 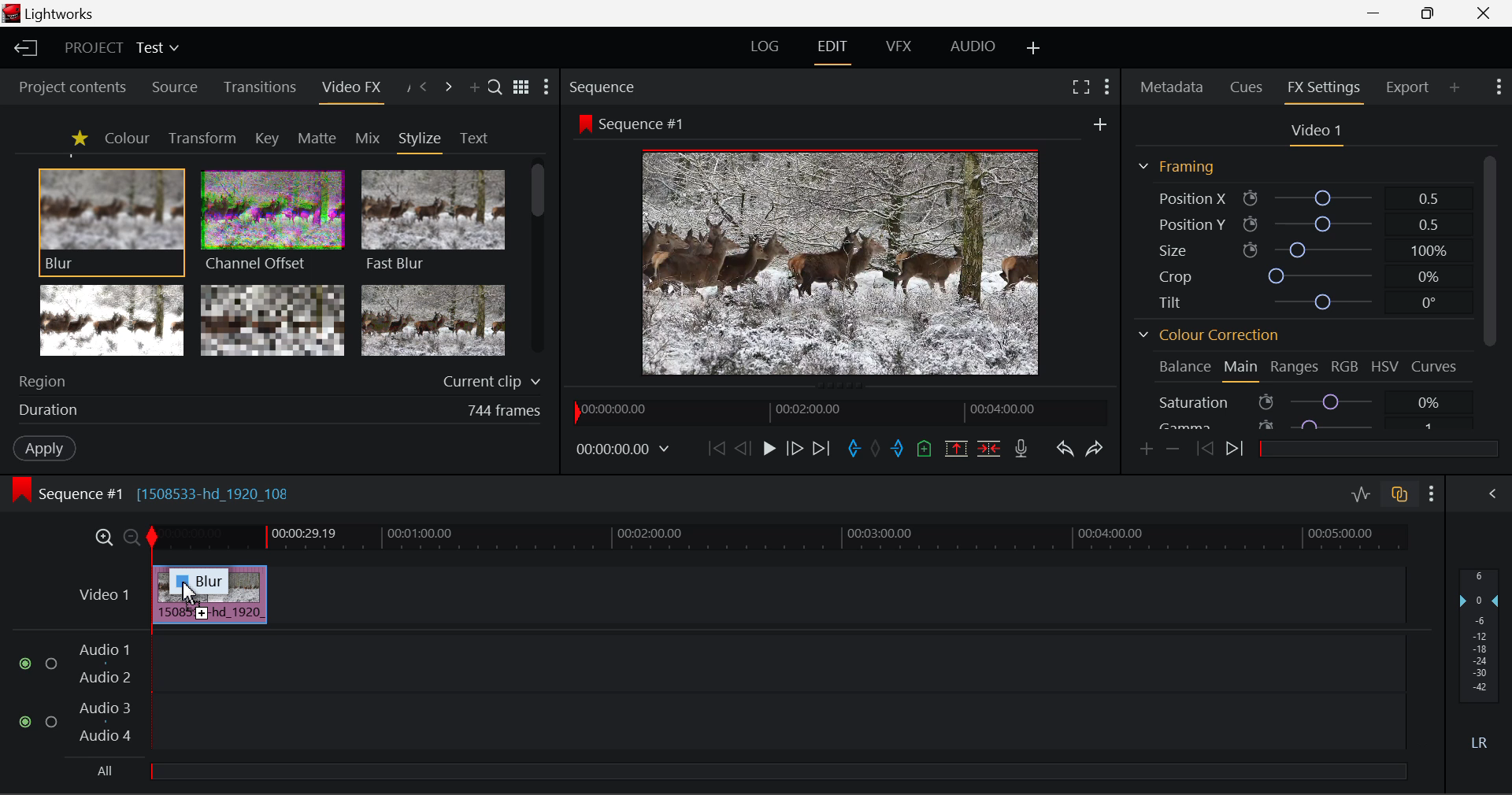 What do you see at coordinates (1209, 334) in the screenshot?
I see `Colour Correction` at bounding box center [1209, 334].